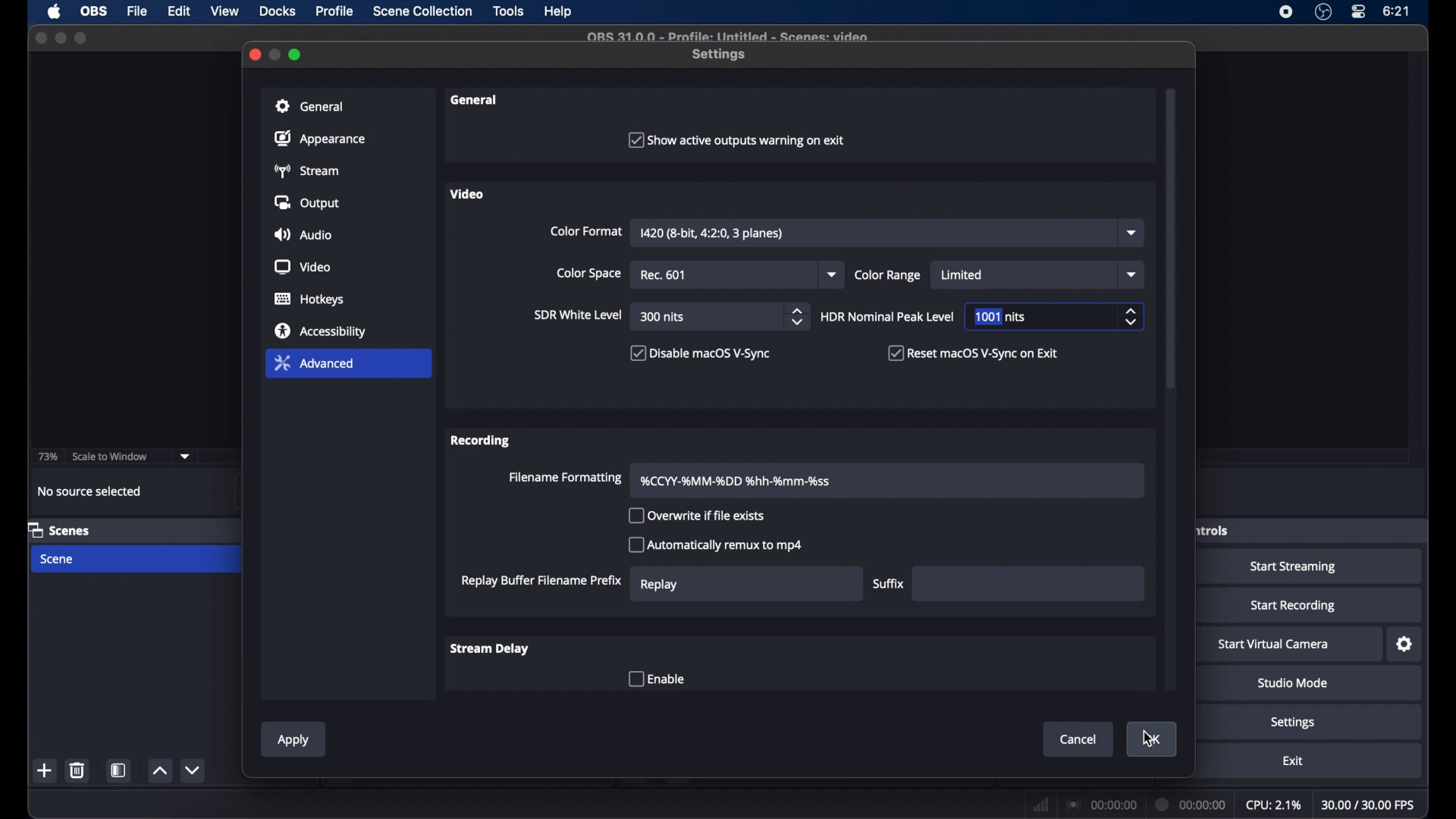 The height and width of the screenshot is (819, 1456). Describe the element at coordinates (586, 231) in the screenshot. I see `color format` at that location.